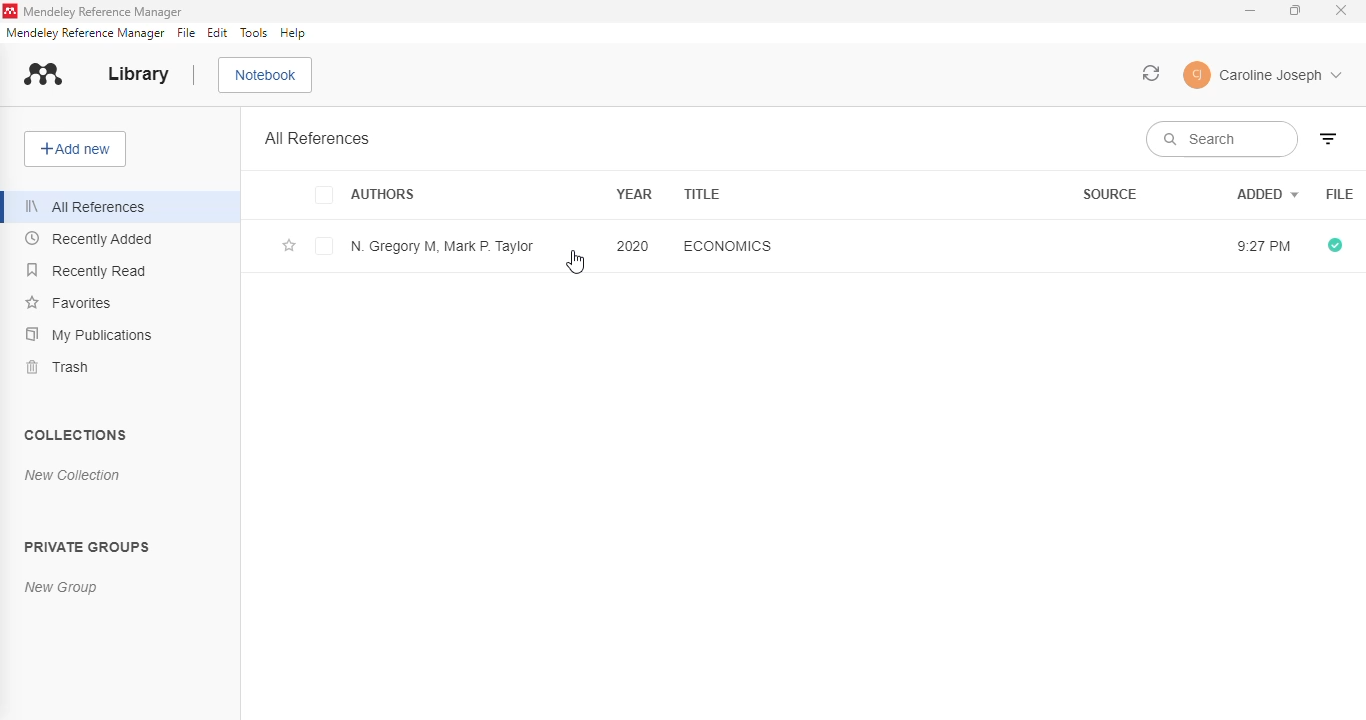  I want to click on select, so click(324, 246).